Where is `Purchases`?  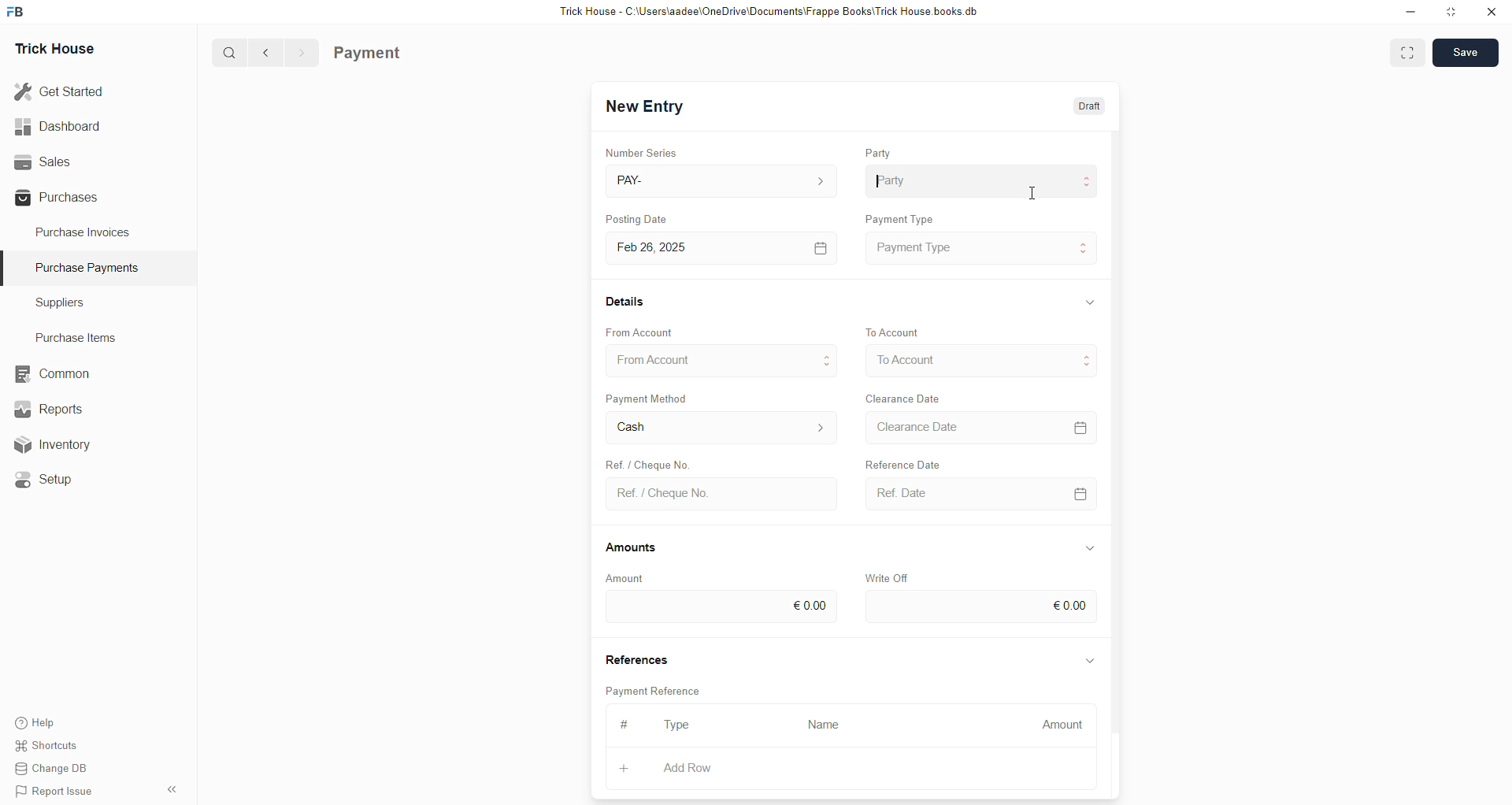 Purchases is located at coordinates (60, 199).